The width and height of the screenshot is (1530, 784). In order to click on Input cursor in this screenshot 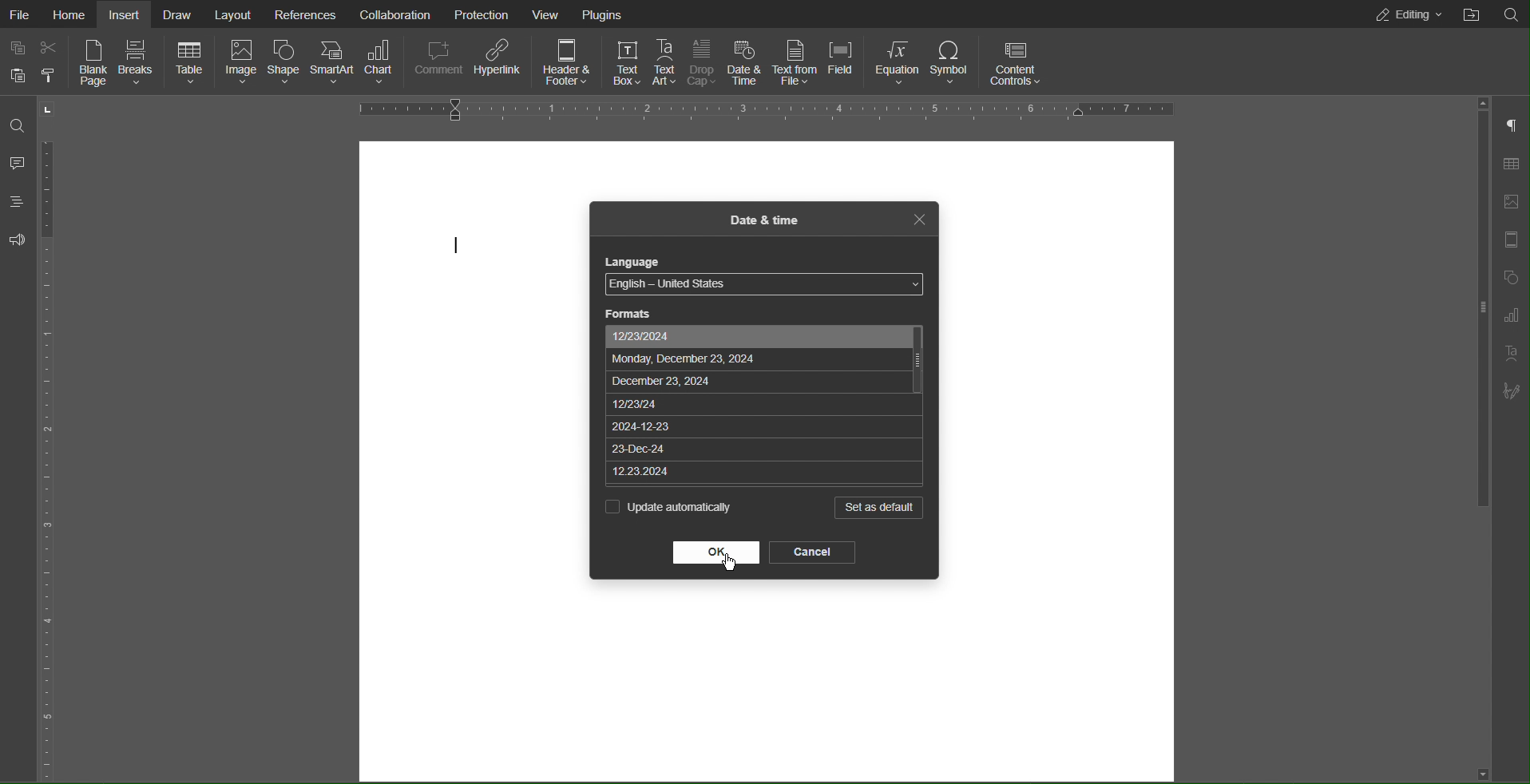, I will do `click(457, 248)`.